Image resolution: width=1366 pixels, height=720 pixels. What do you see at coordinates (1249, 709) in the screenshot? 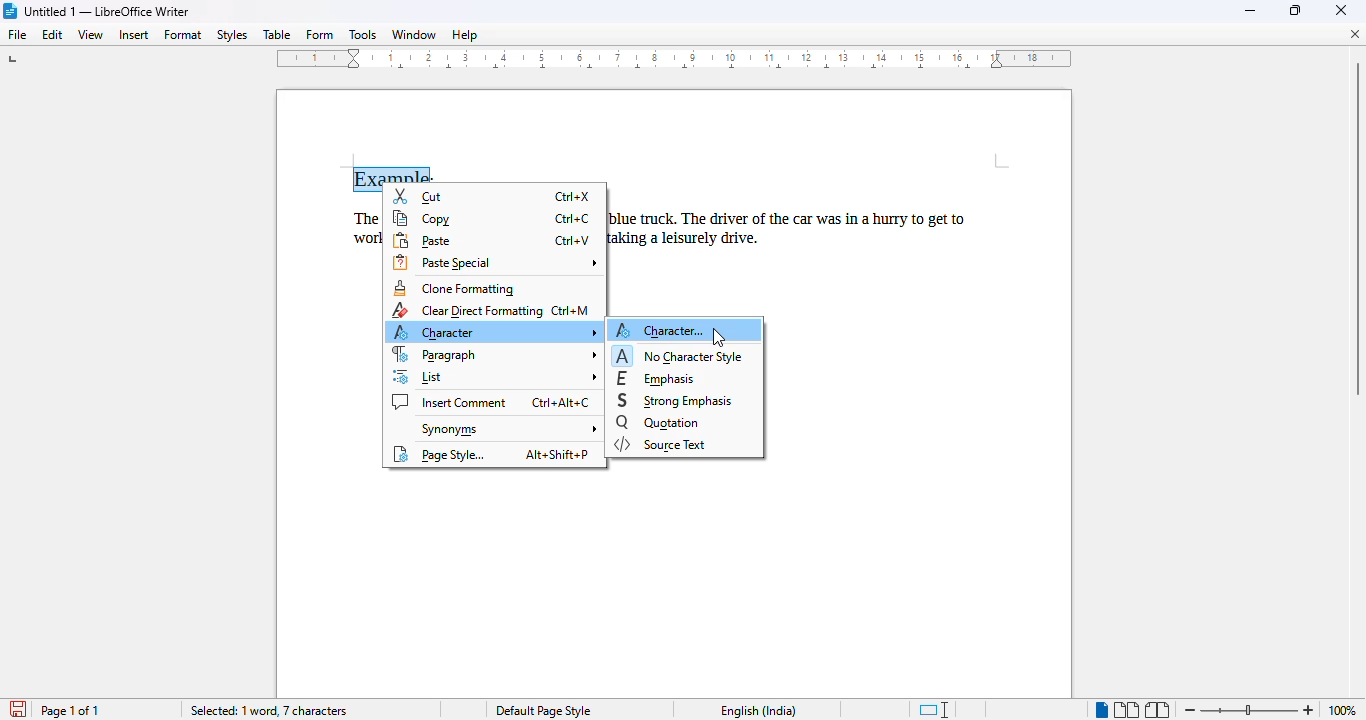
I see `Change zoom level` at bounding box center [1249, 709].